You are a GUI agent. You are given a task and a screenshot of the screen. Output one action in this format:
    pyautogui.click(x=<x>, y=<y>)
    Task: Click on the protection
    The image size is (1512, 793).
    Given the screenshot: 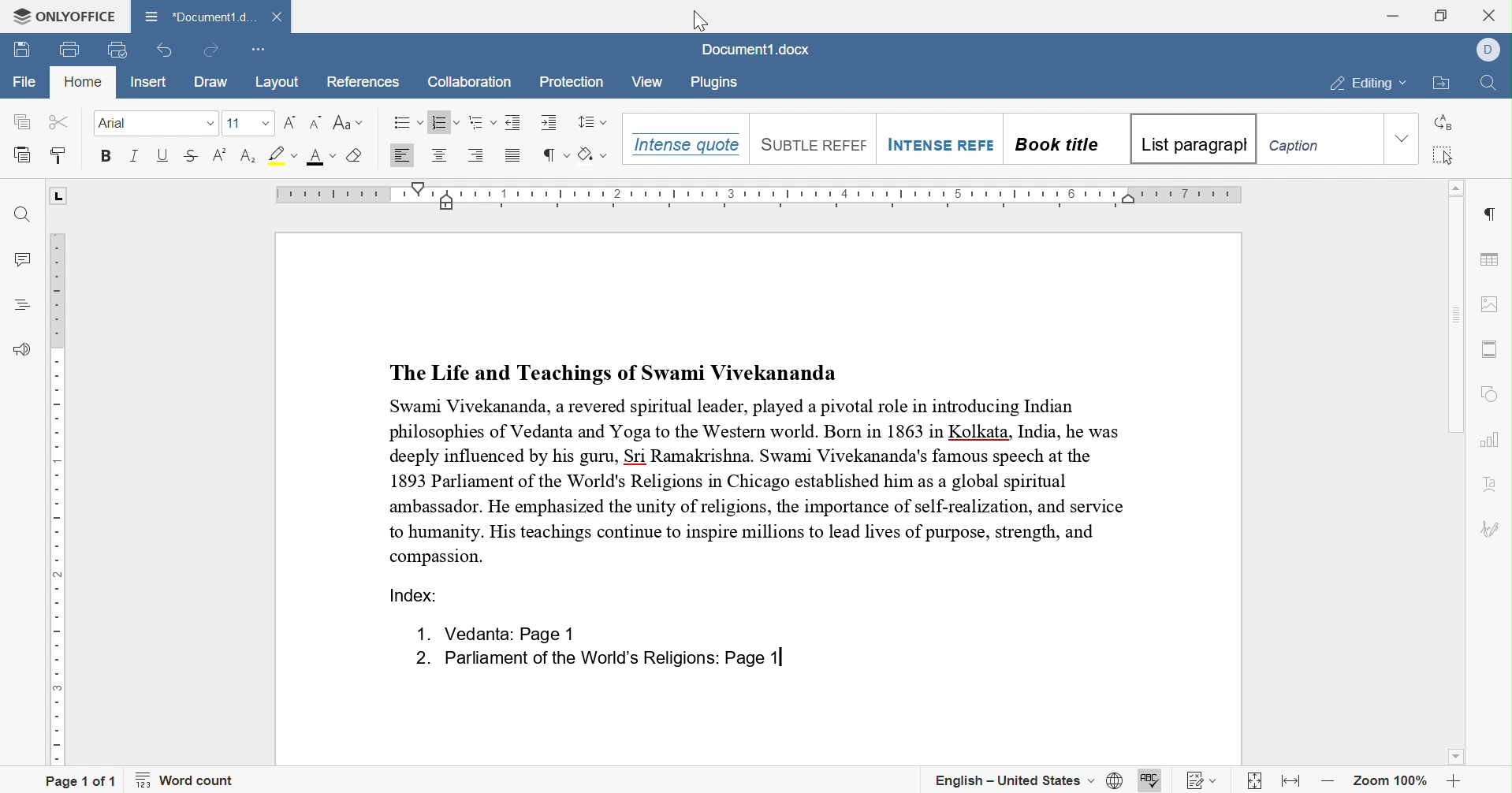 What is the action you would take?
    pyautogui.click(x=572, y=83)
    